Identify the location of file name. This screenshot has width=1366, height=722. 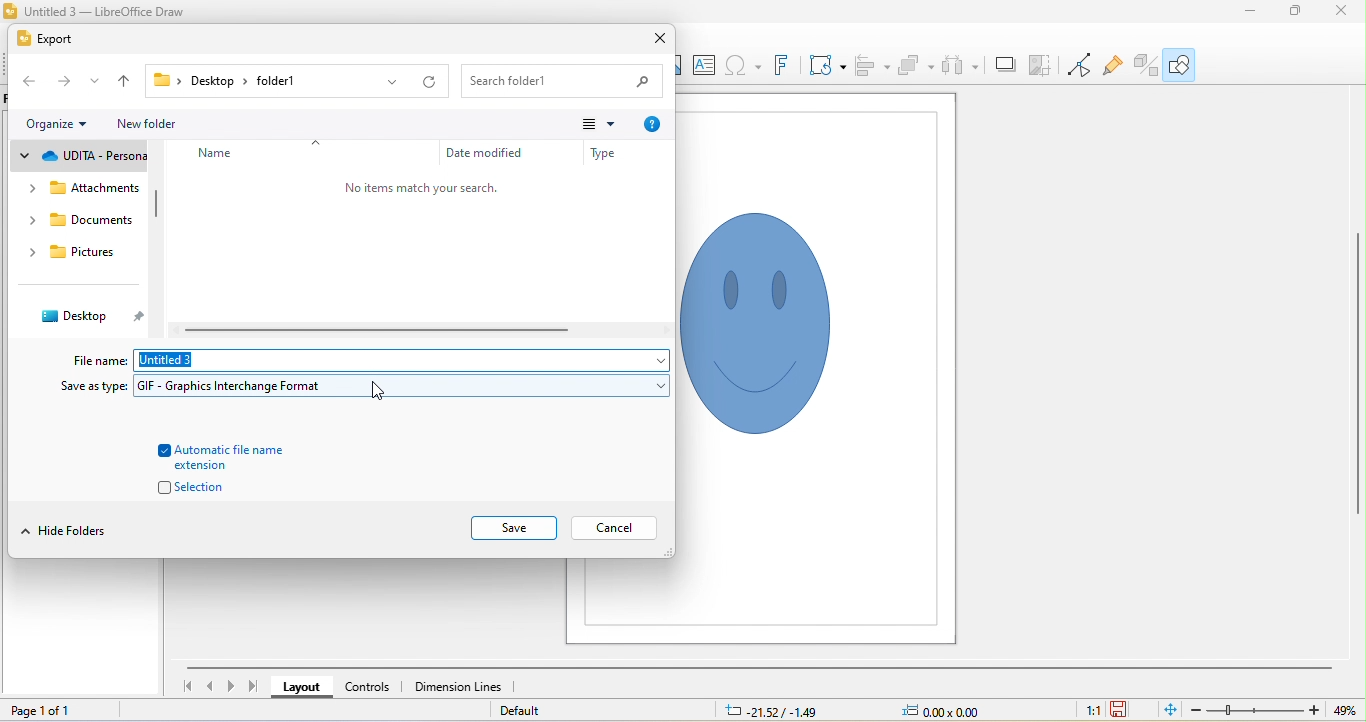
(100, 360).